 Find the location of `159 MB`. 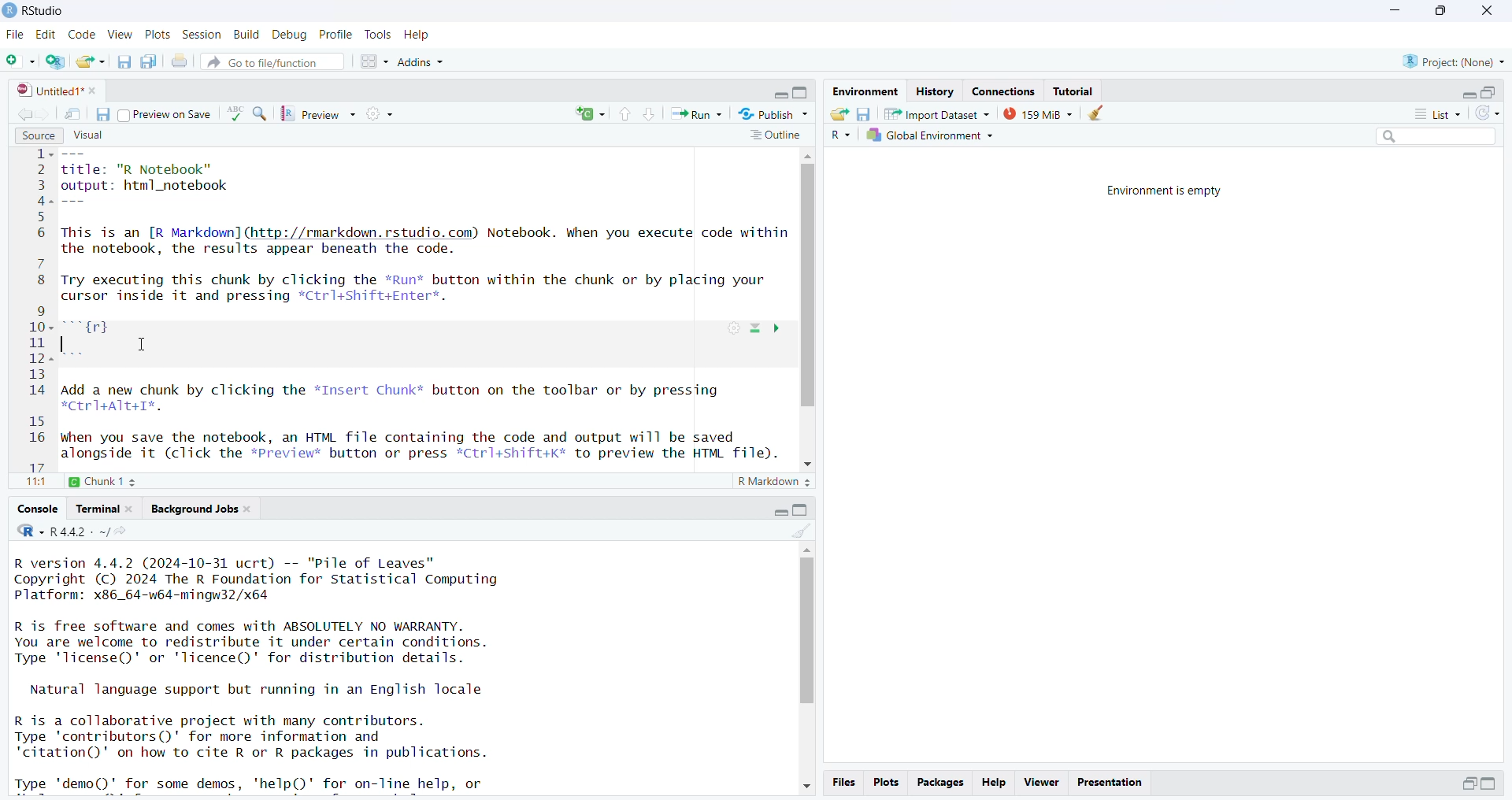

159 MB is located at coordinates (1037, 113).